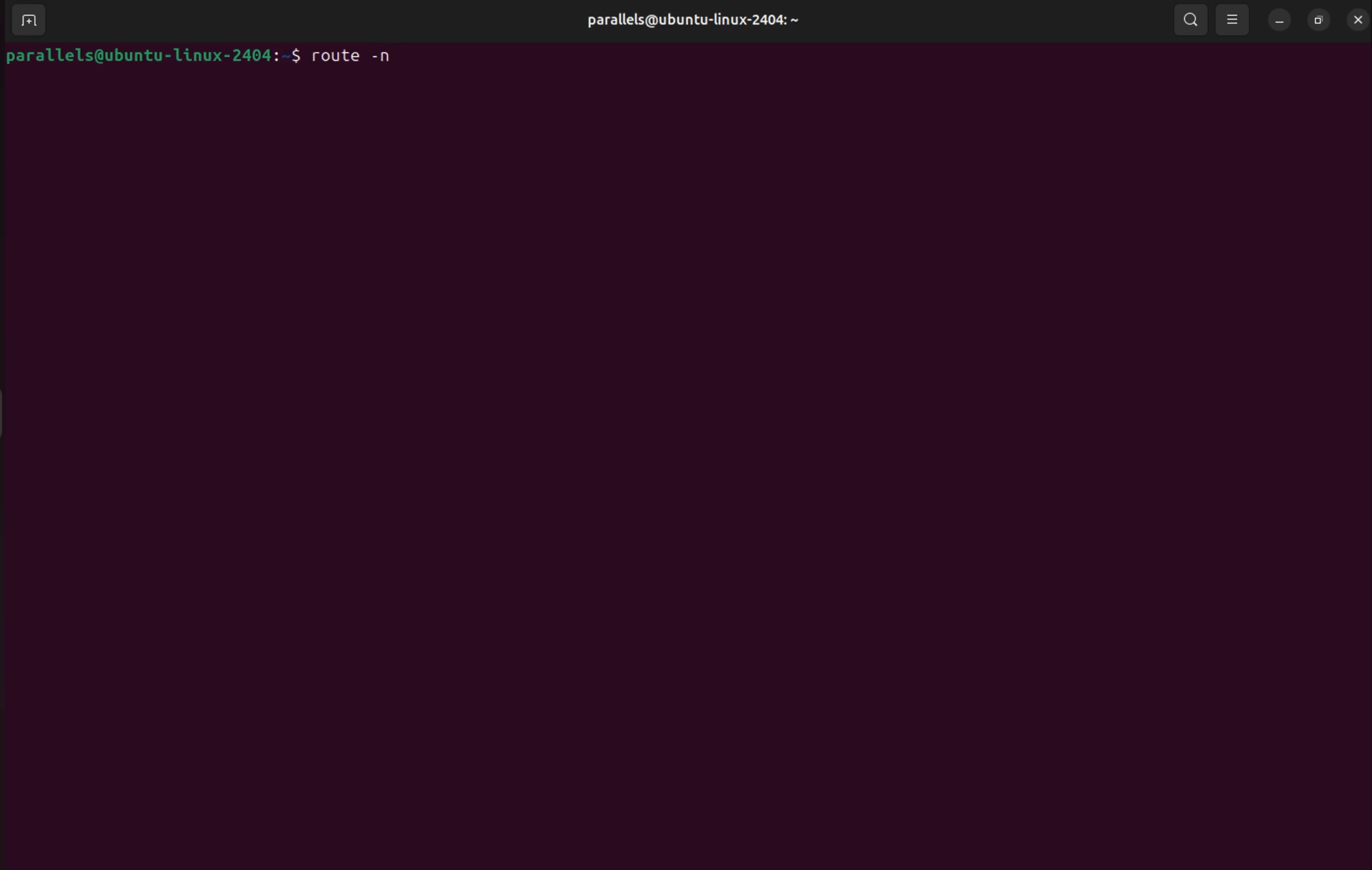 The height and width of the screenshot is (870, 1372). What do you see at coordinates (1317, 21) in the screenshot?
I see `resize` at bounding box center [1317, 21].